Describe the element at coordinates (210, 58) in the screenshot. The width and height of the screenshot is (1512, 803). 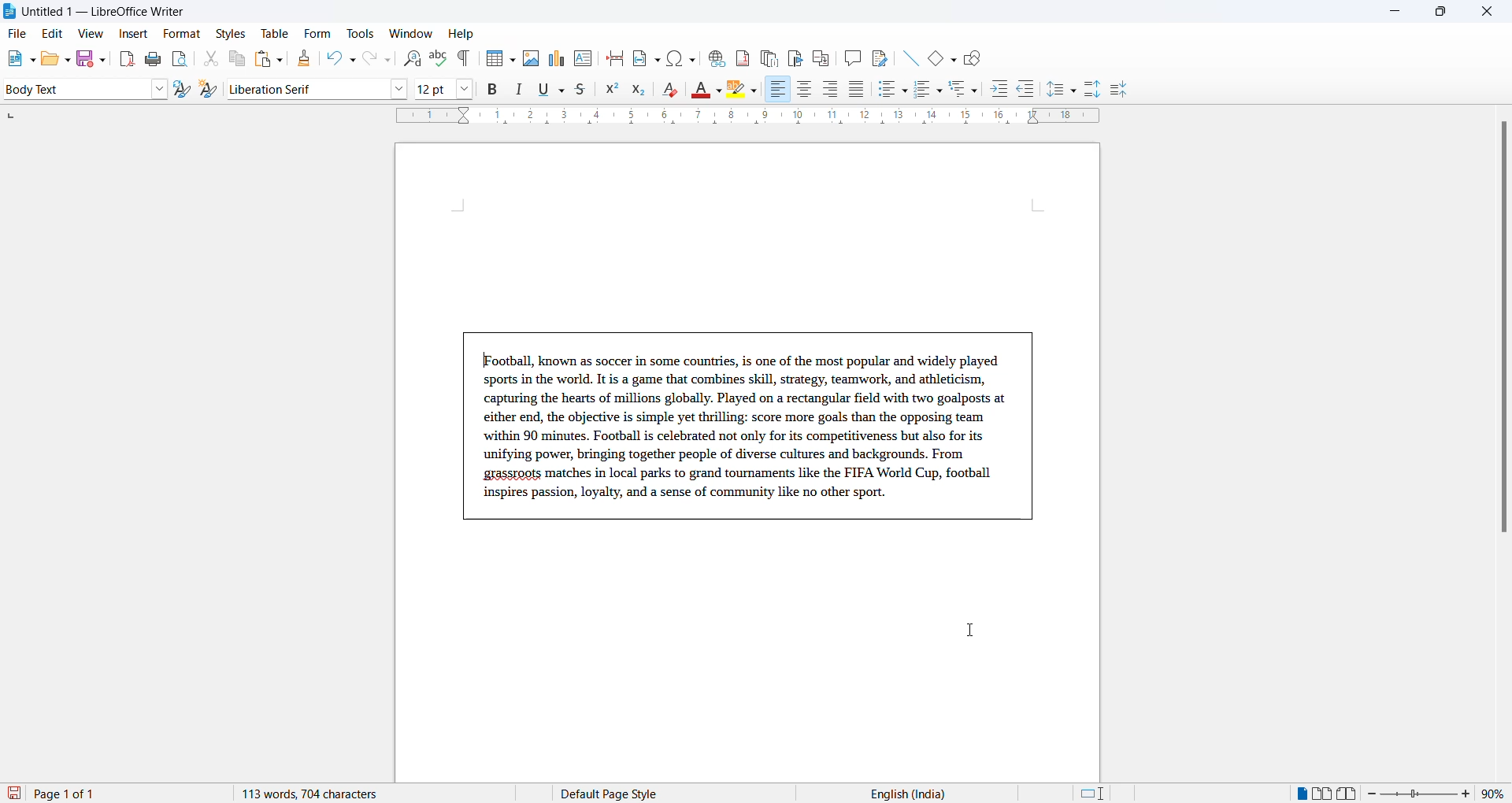
I see `cut` at that location.